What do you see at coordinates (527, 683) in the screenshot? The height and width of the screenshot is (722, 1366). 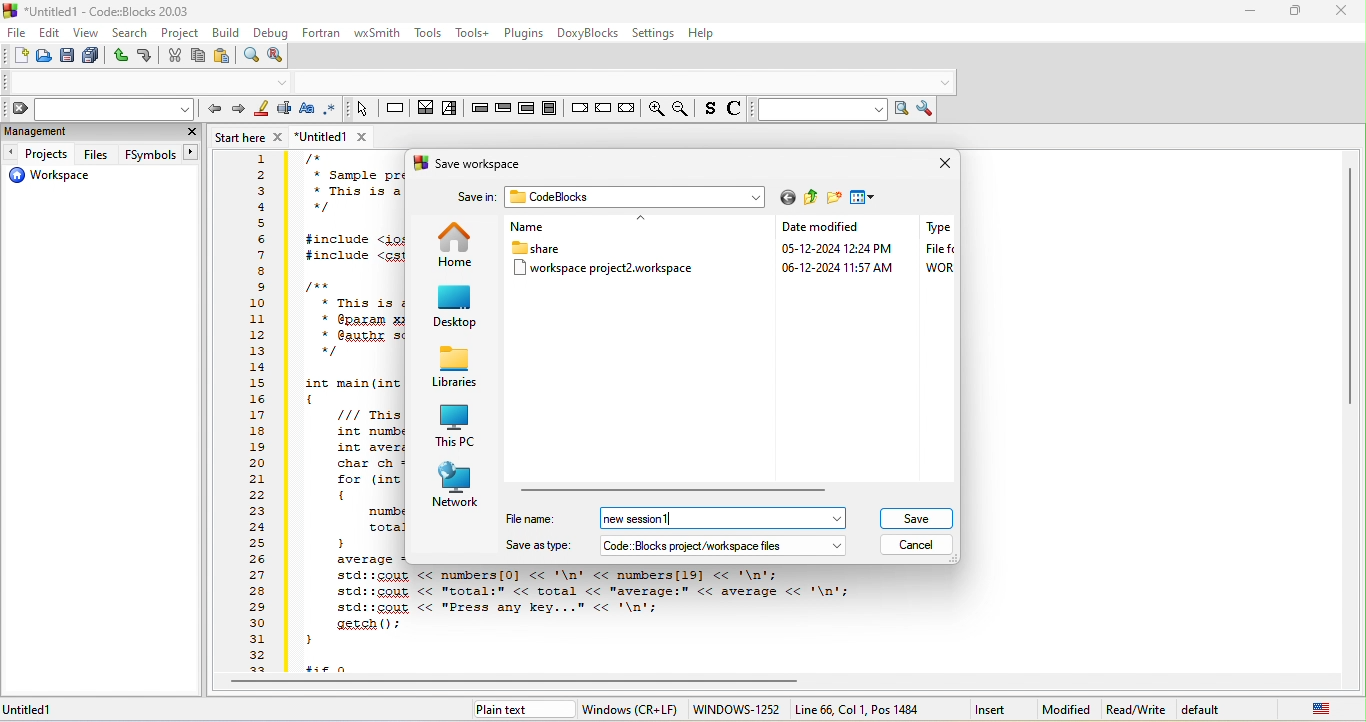 I see `horizontal scroll bar` at bounding box center [527, 683].